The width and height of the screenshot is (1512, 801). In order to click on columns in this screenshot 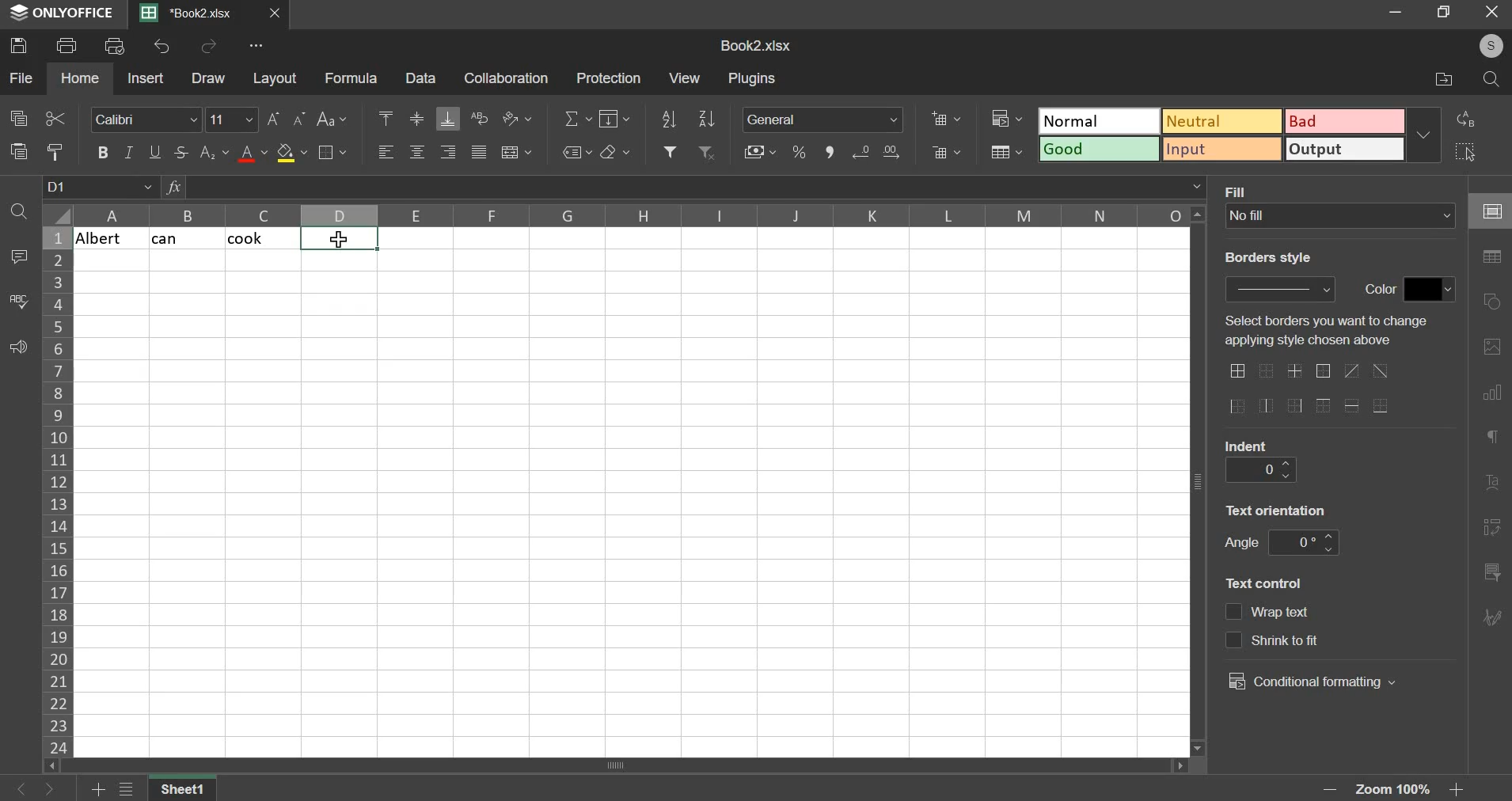, I will do `click(633, 216)`.